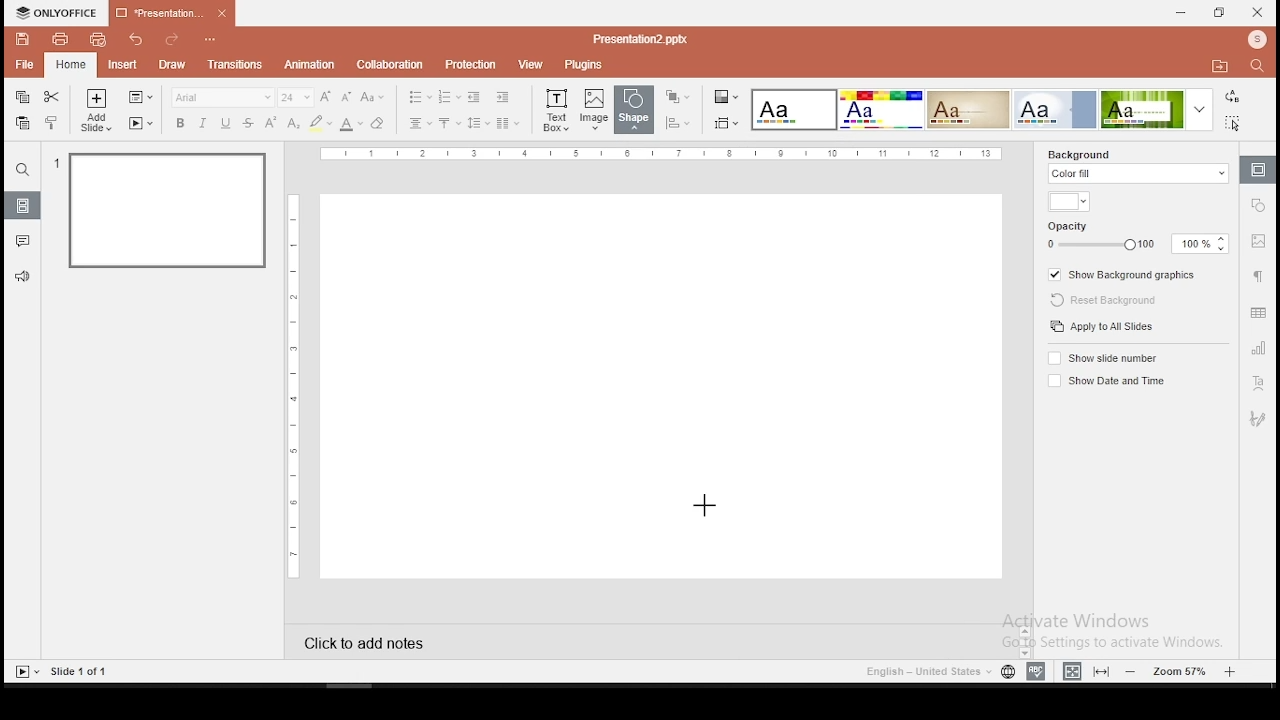 This screenshot has height=720, width=1280. What do you see at coordinates (637, 40) in the screenshot?
I see `presentation2.pptx` at bounding box center [637, 40].